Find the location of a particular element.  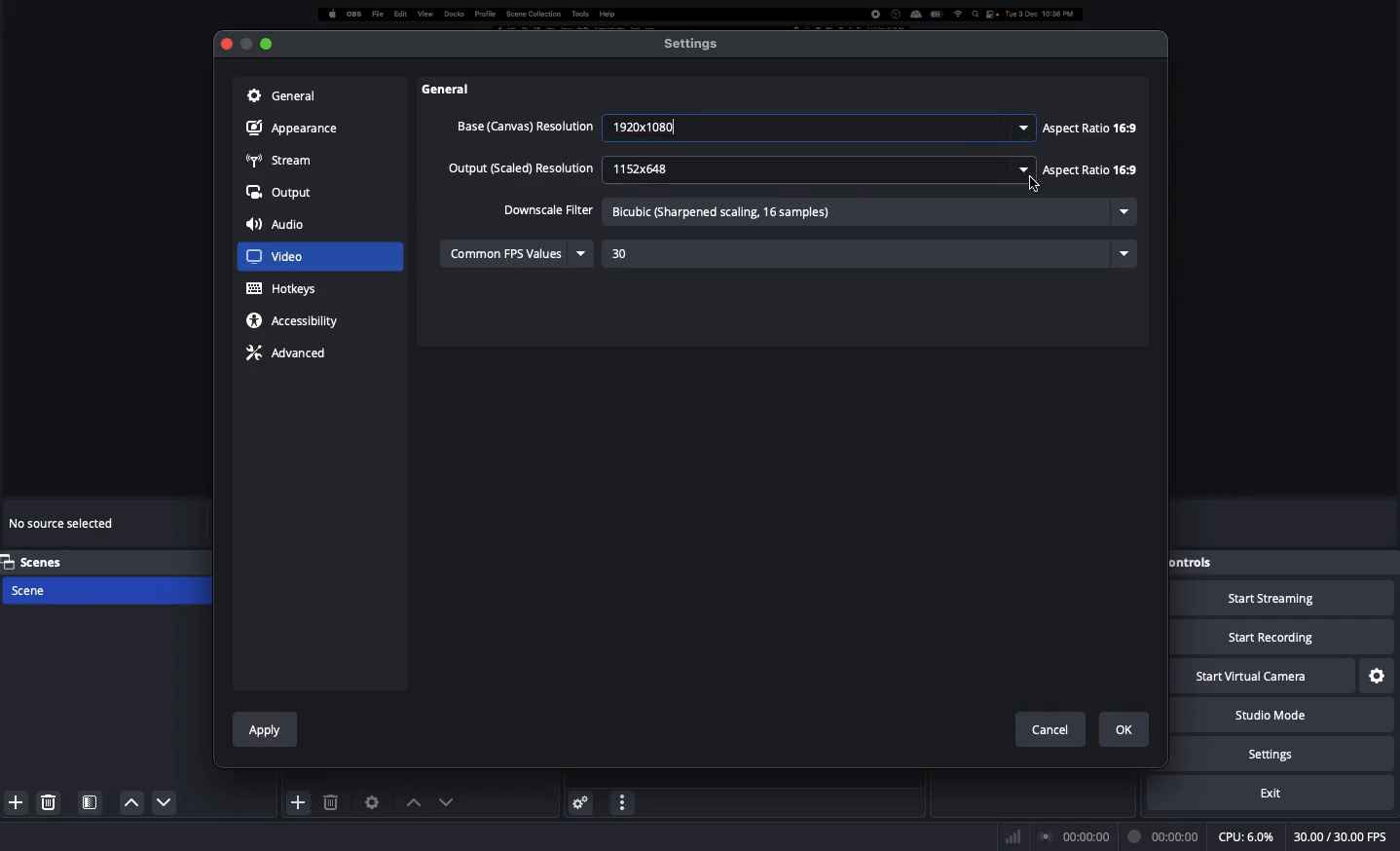

Scen is located at coordinates (104, 589).